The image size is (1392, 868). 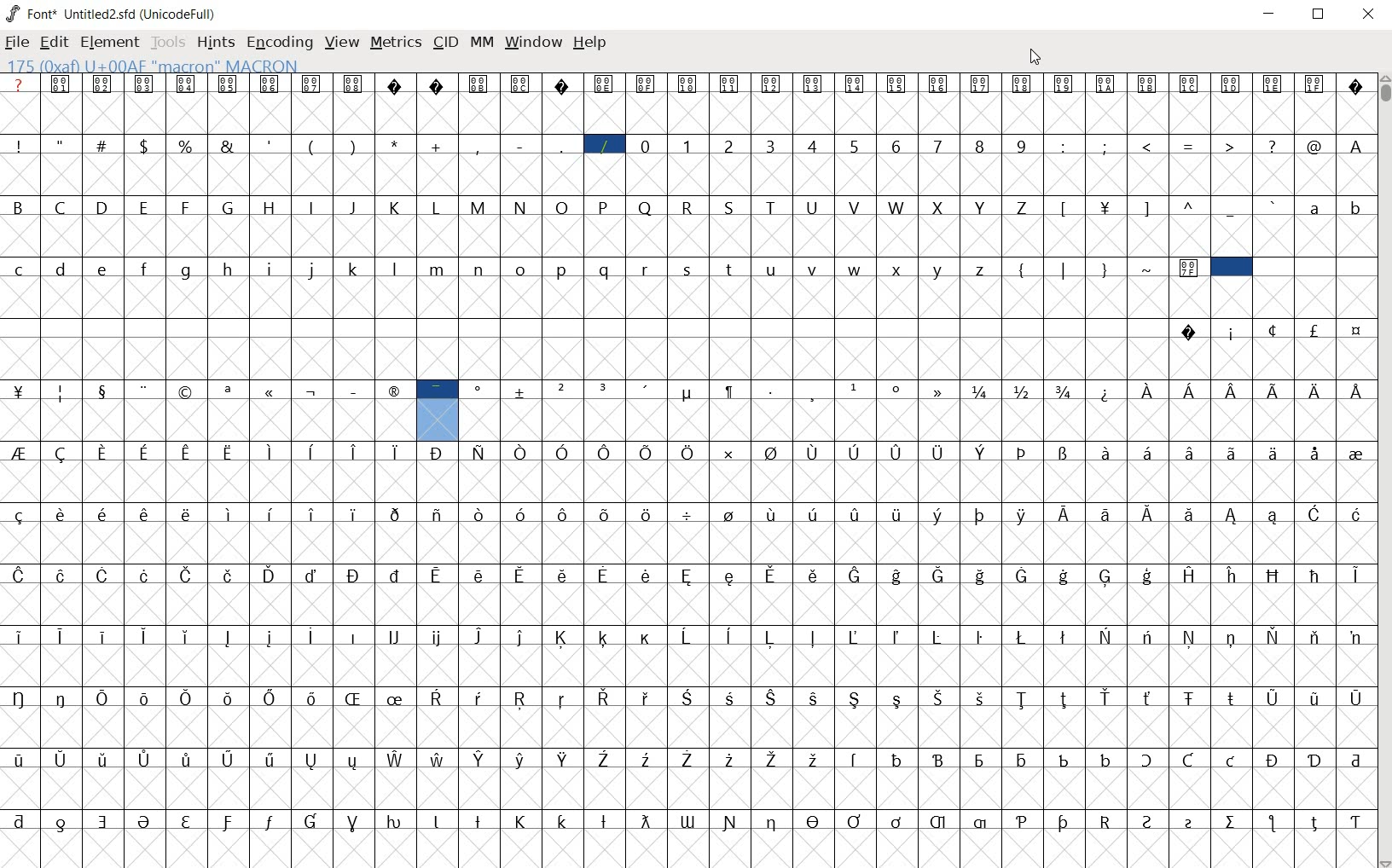 I want to click on accented letters, so click(x=416, y=778).